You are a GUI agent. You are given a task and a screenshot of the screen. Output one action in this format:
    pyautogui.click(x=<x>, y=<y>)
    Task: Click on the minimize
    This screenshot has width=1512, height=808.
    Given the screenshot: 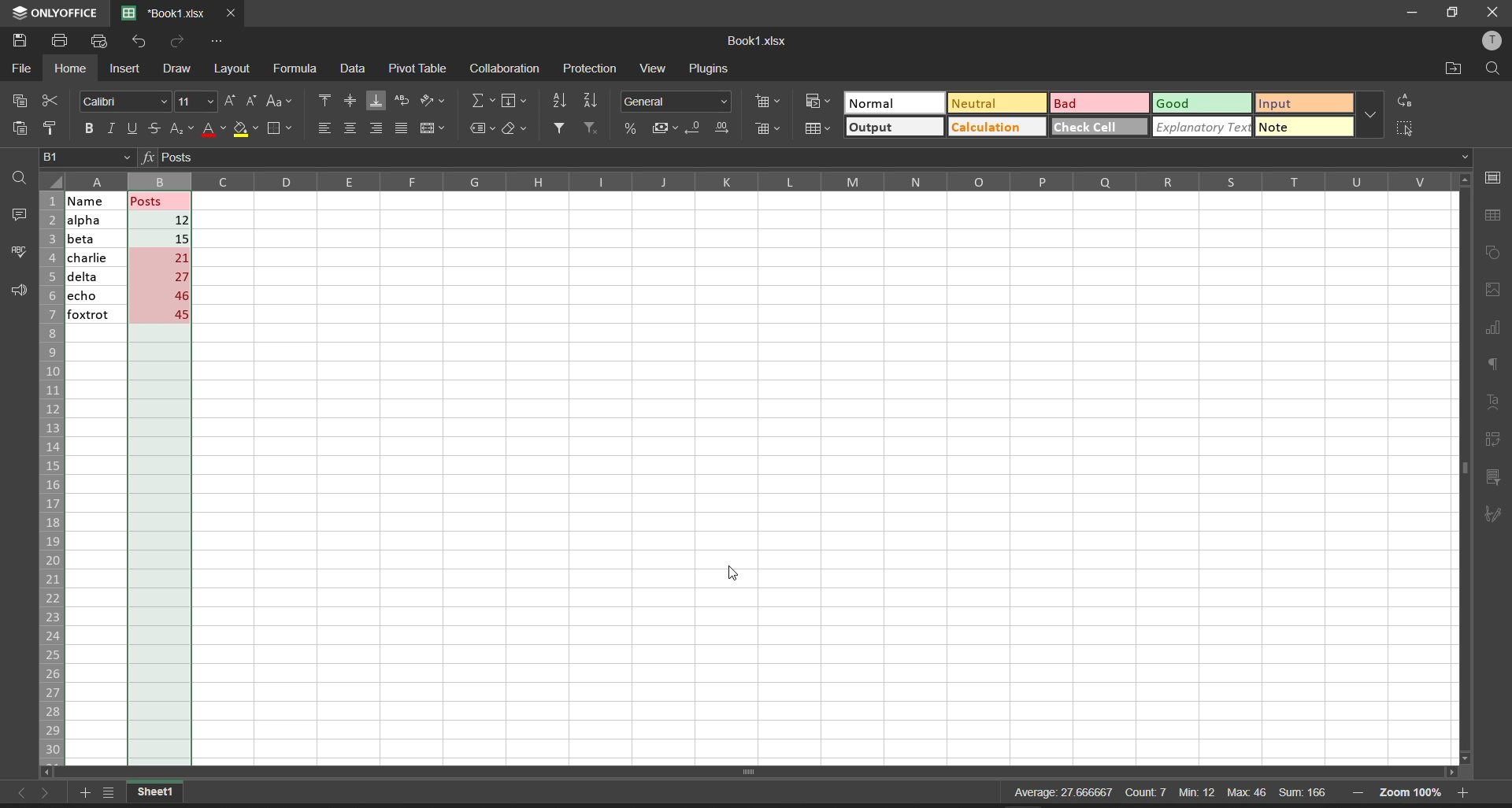 What is the action you would take?
    pyautogui.click(x=1414, y=12)
    